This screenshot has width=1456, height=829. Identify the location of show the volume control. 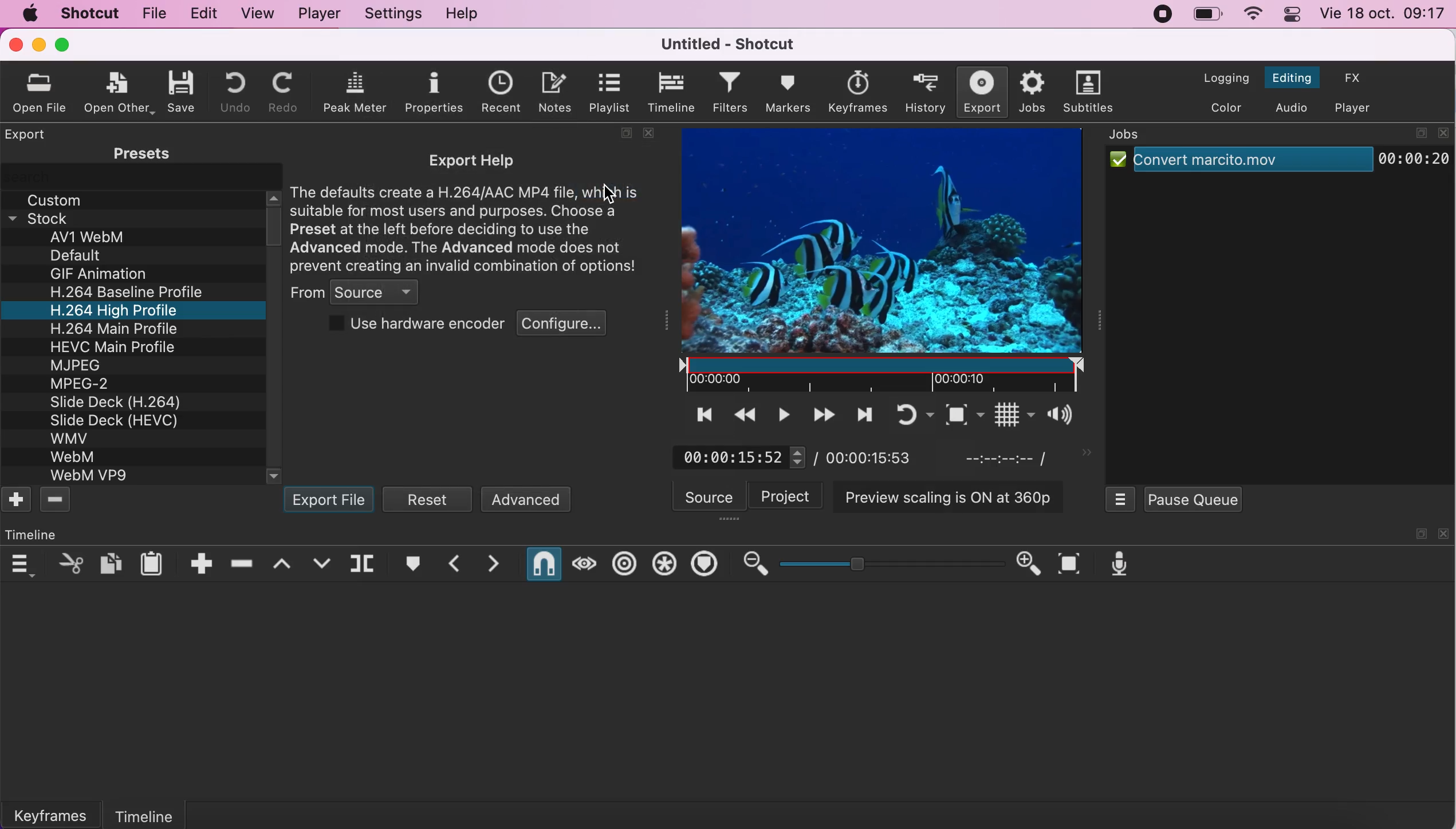
(1056, 417).